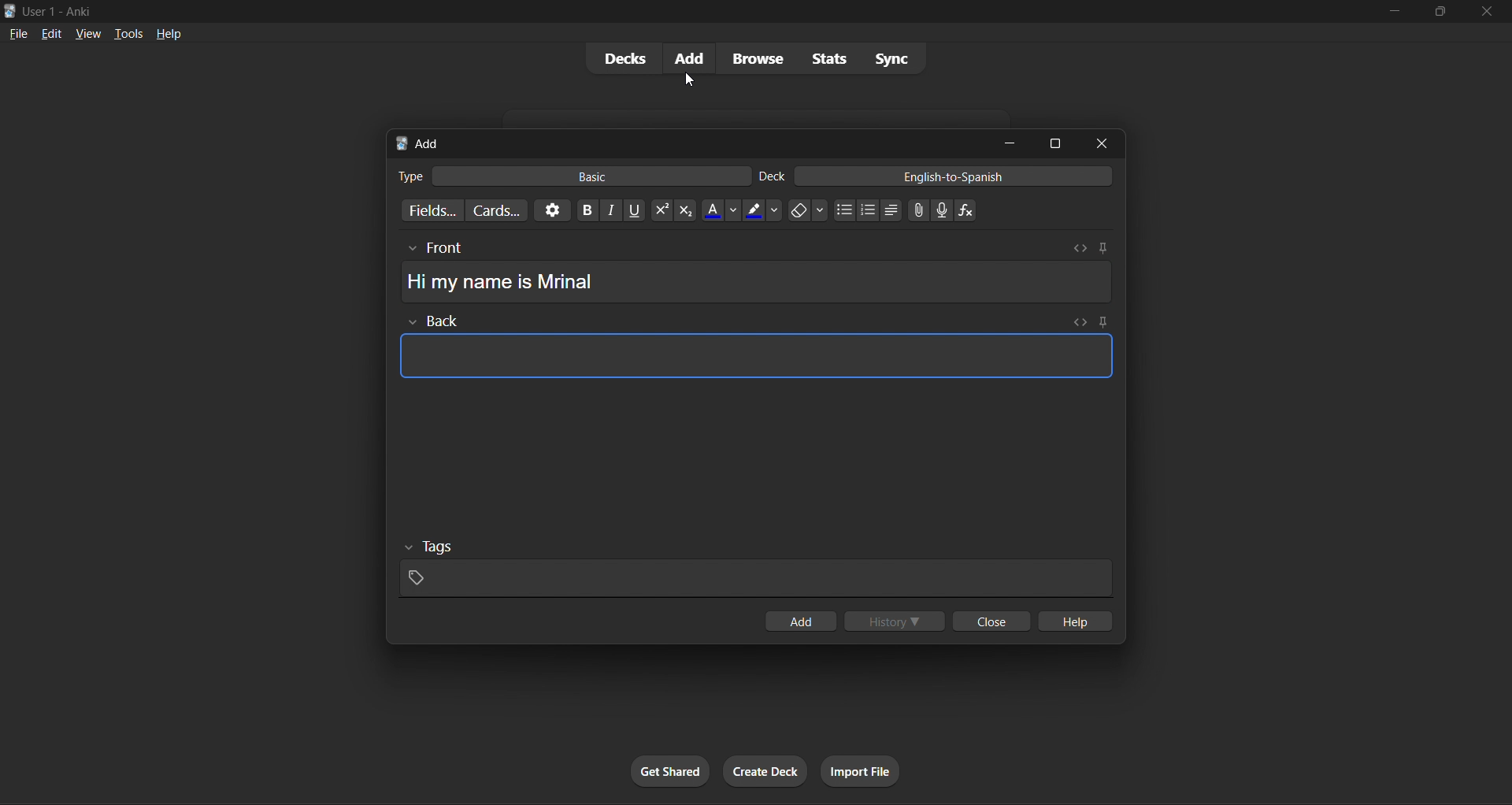 This screenshot has width=1512, height=805. I want to click on stats, so click(824, 58).